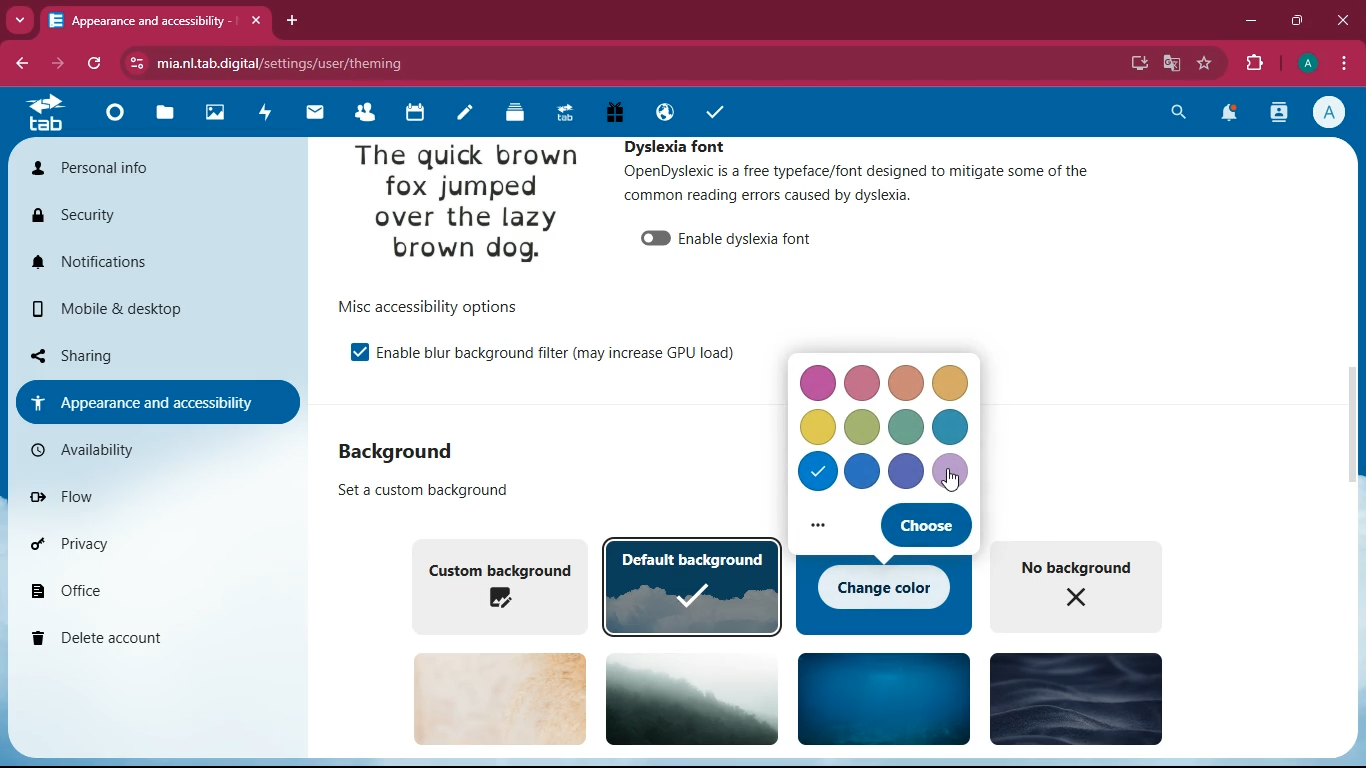 The width and height of the screenshot is (1366, 768). I want to click on office, so click(140, 589).